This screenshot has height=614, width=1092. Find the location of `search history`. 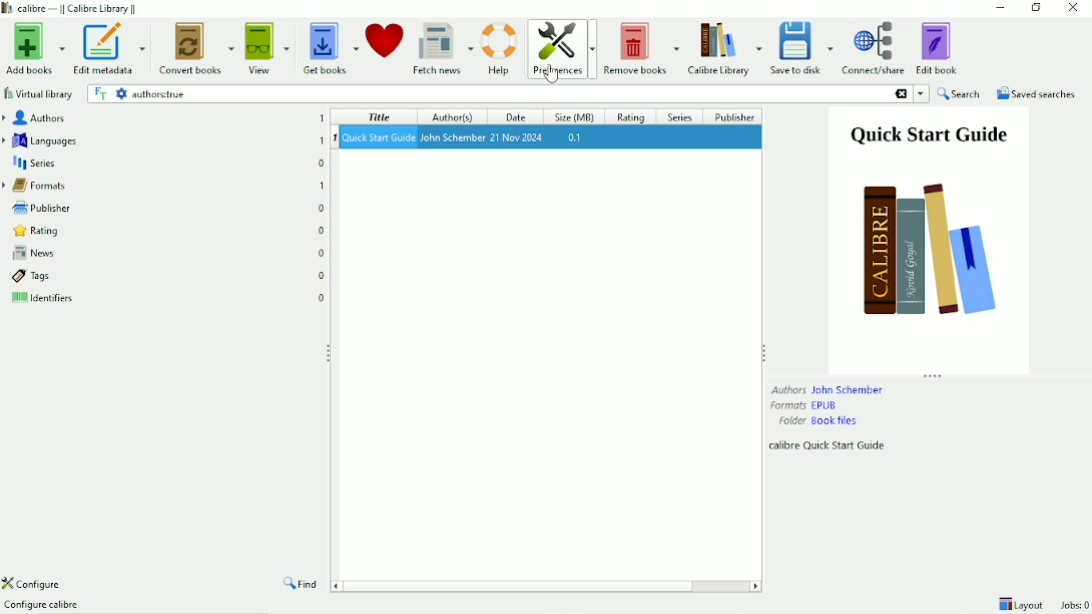

search history is located at coordinates (920, 94).